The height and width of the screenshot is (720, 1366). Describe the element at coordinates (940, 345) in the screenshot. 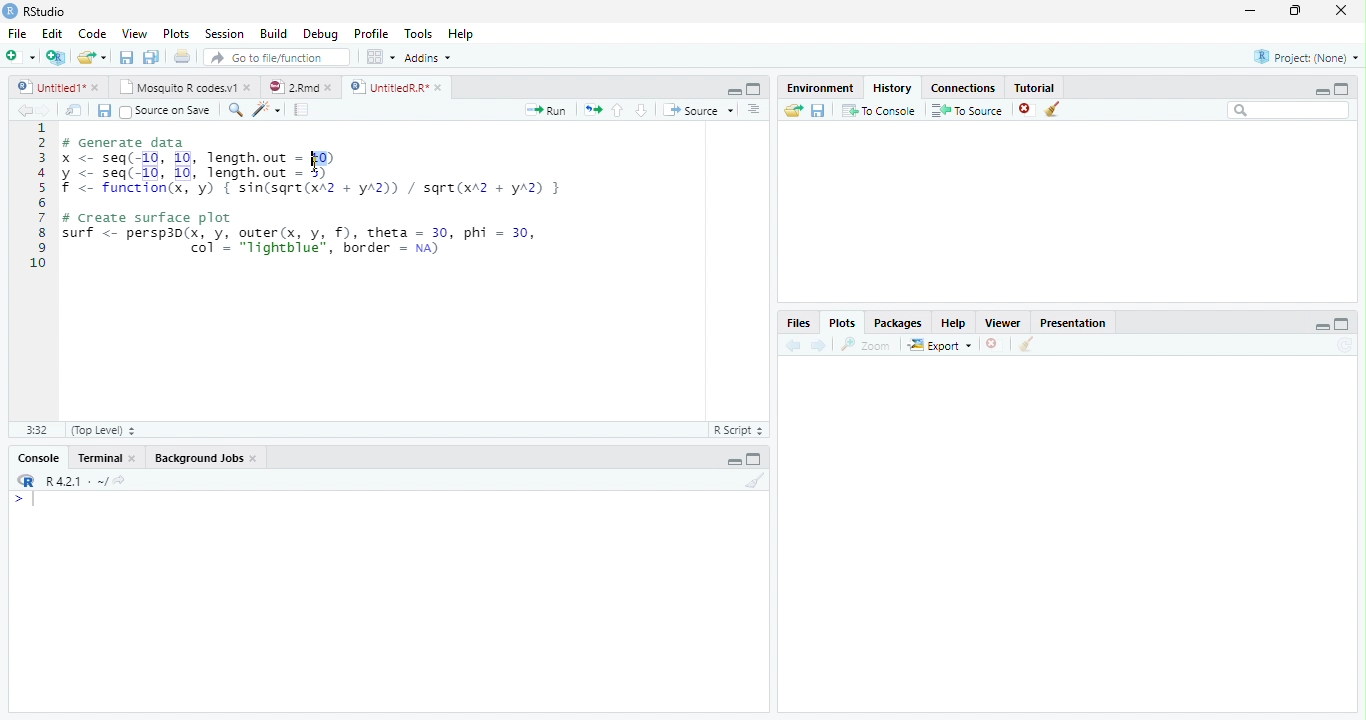

I see `Export` at that location.